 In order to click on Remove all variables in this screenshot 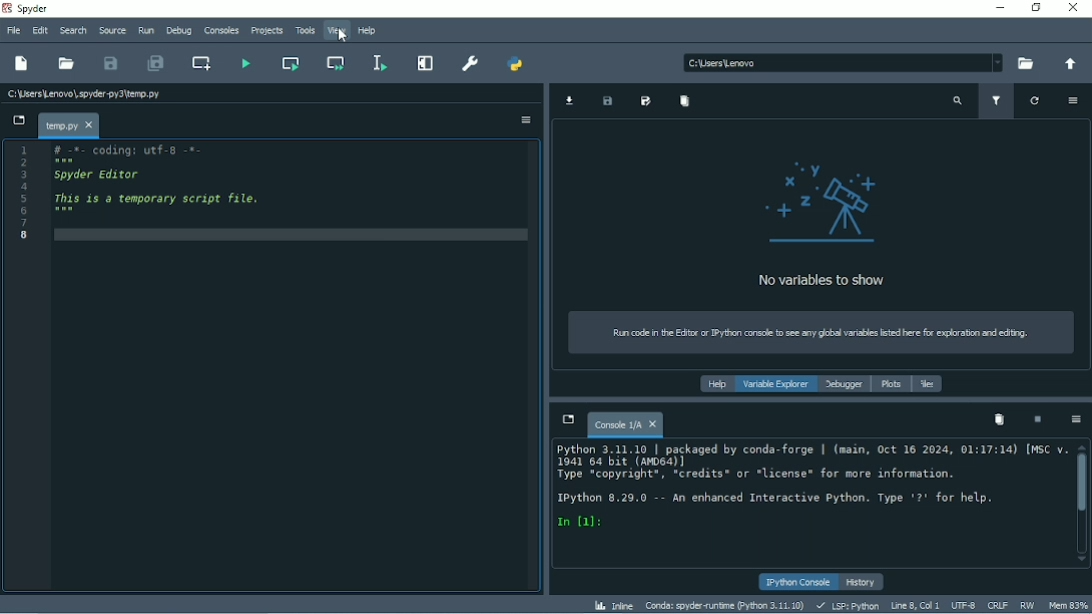, I will do `click(684, 101)`.